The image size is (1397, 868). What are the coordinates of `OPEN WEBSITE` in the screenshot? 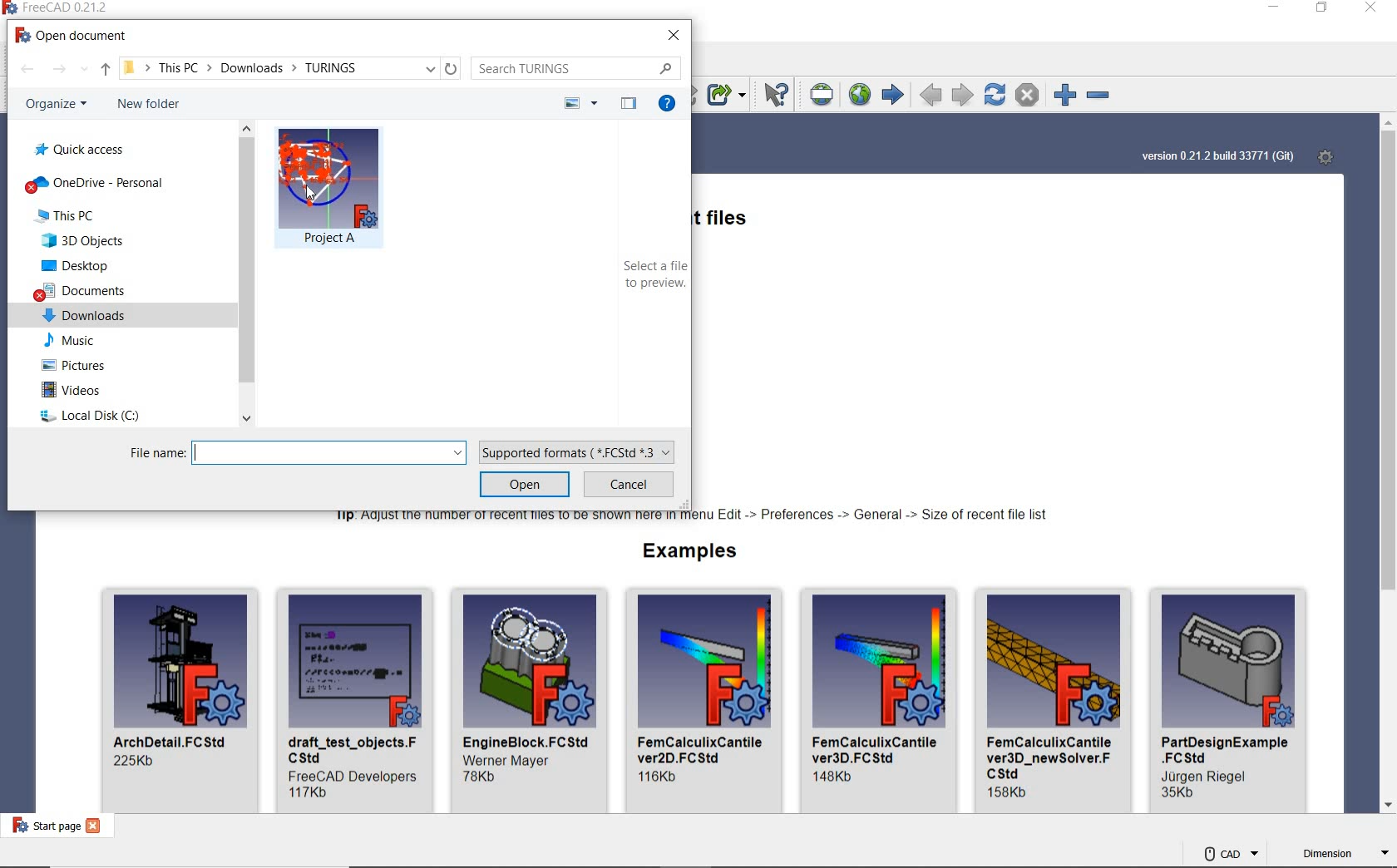 It's located at (857, 94).